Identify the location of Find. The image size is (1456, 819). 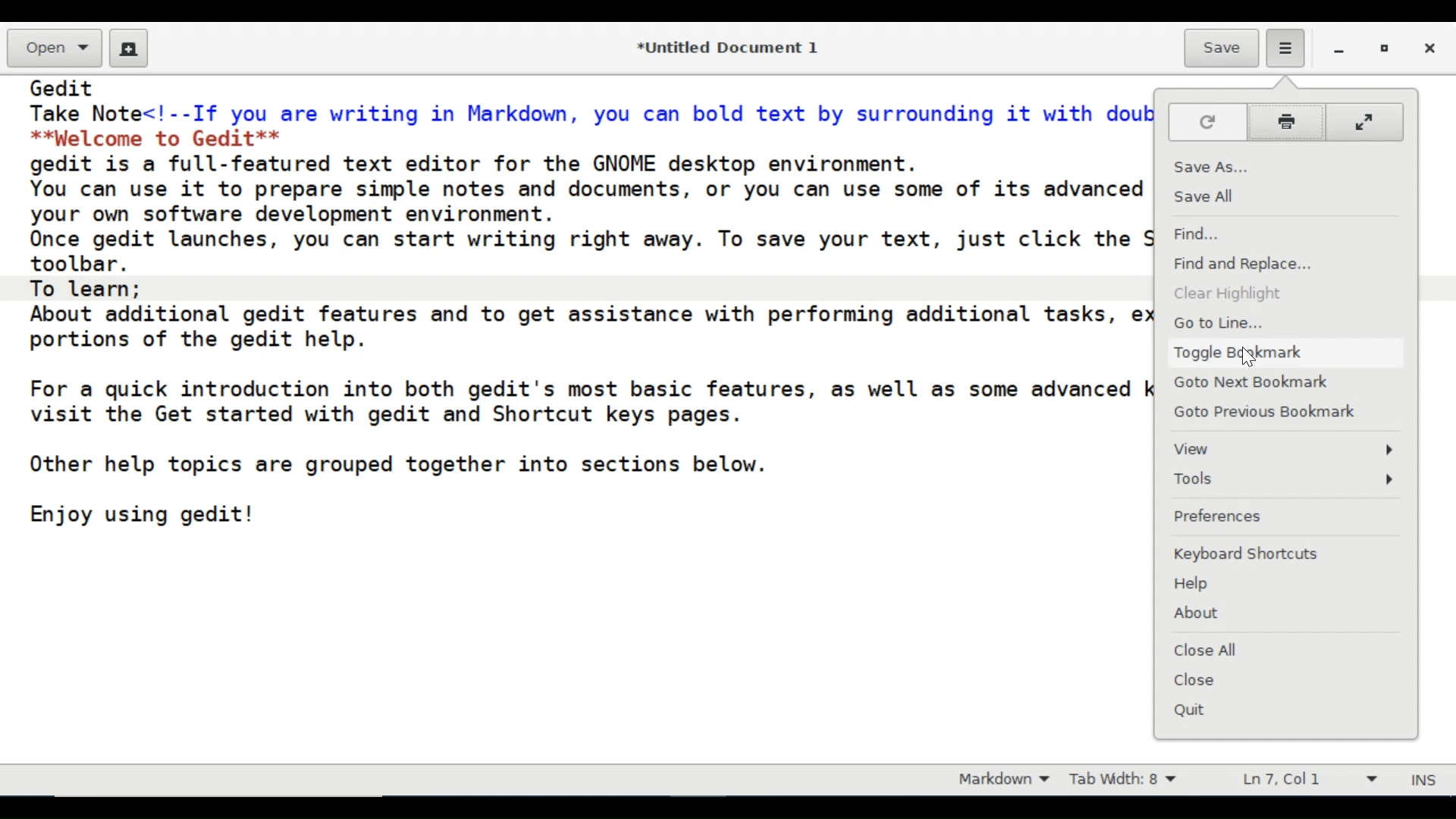
(1202, 234).